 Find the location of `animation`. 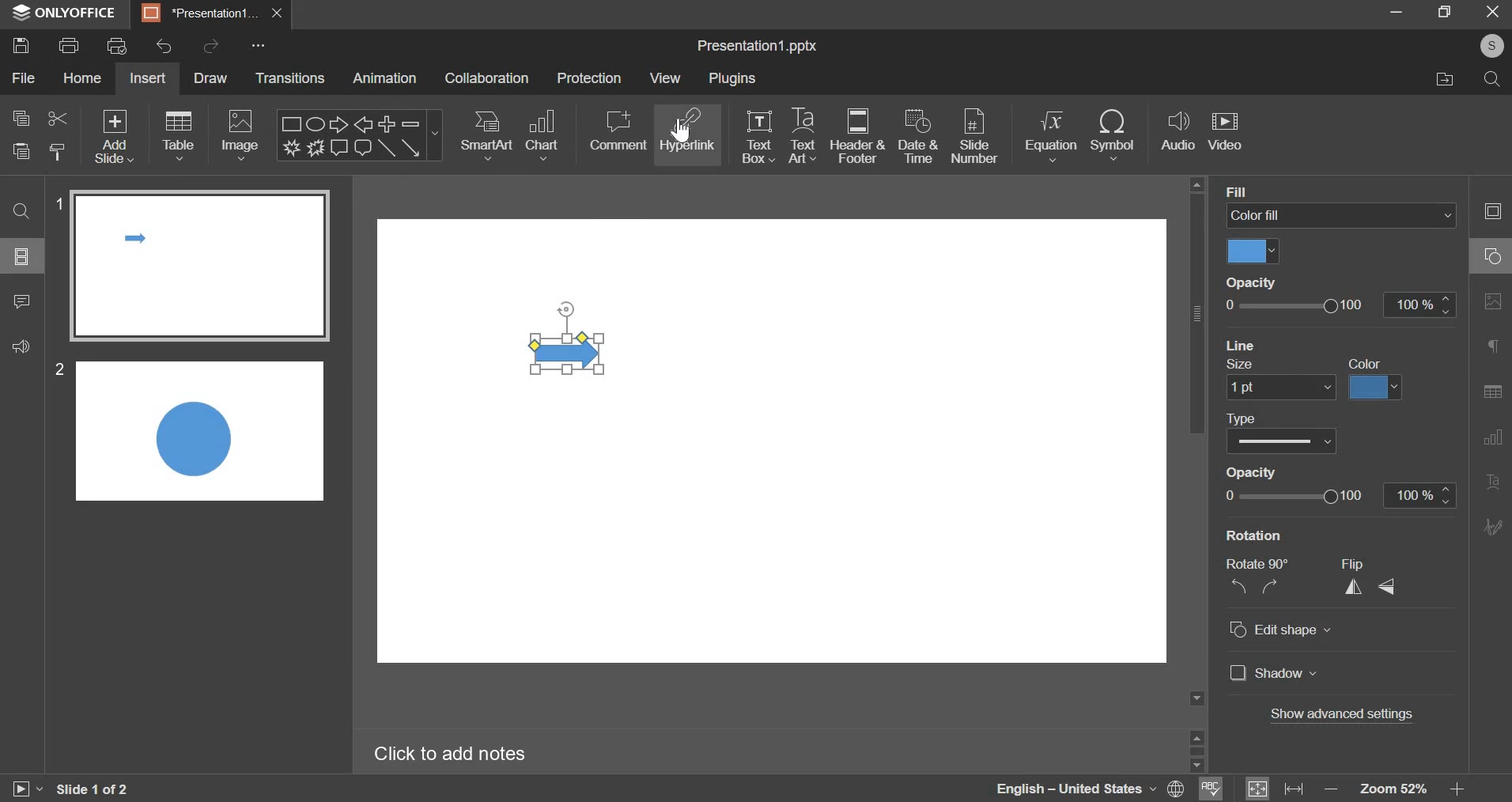

animation is located at coordinates (385, 78).